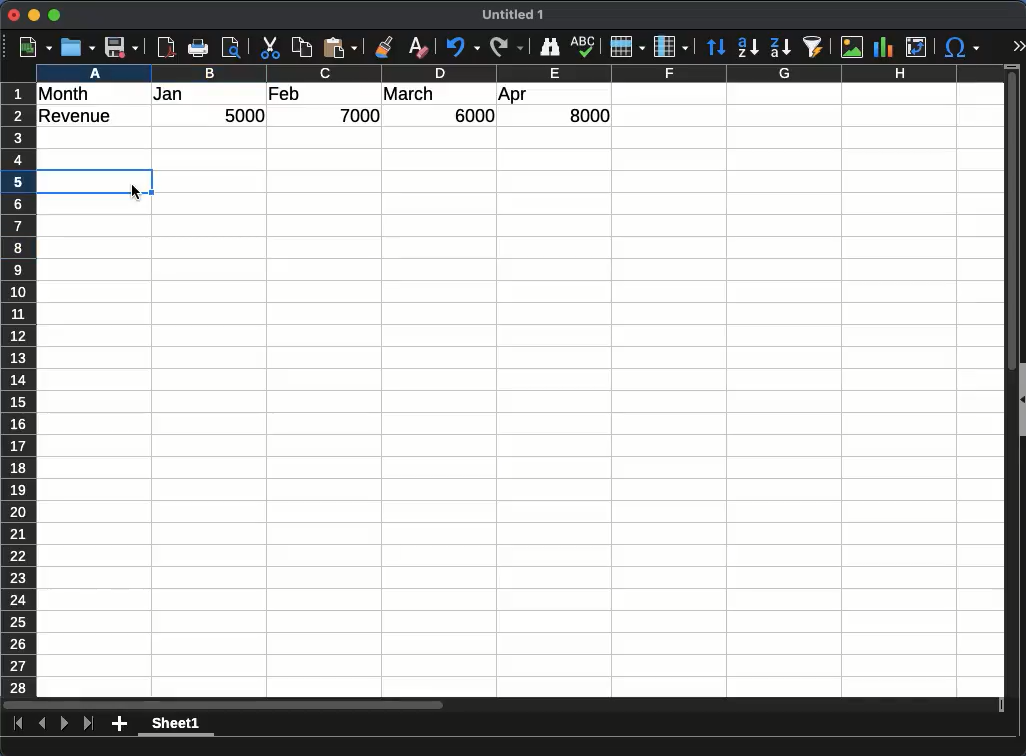 This screenshot has width=1026, height=756. I want to click on ascending, so click(746, 48).